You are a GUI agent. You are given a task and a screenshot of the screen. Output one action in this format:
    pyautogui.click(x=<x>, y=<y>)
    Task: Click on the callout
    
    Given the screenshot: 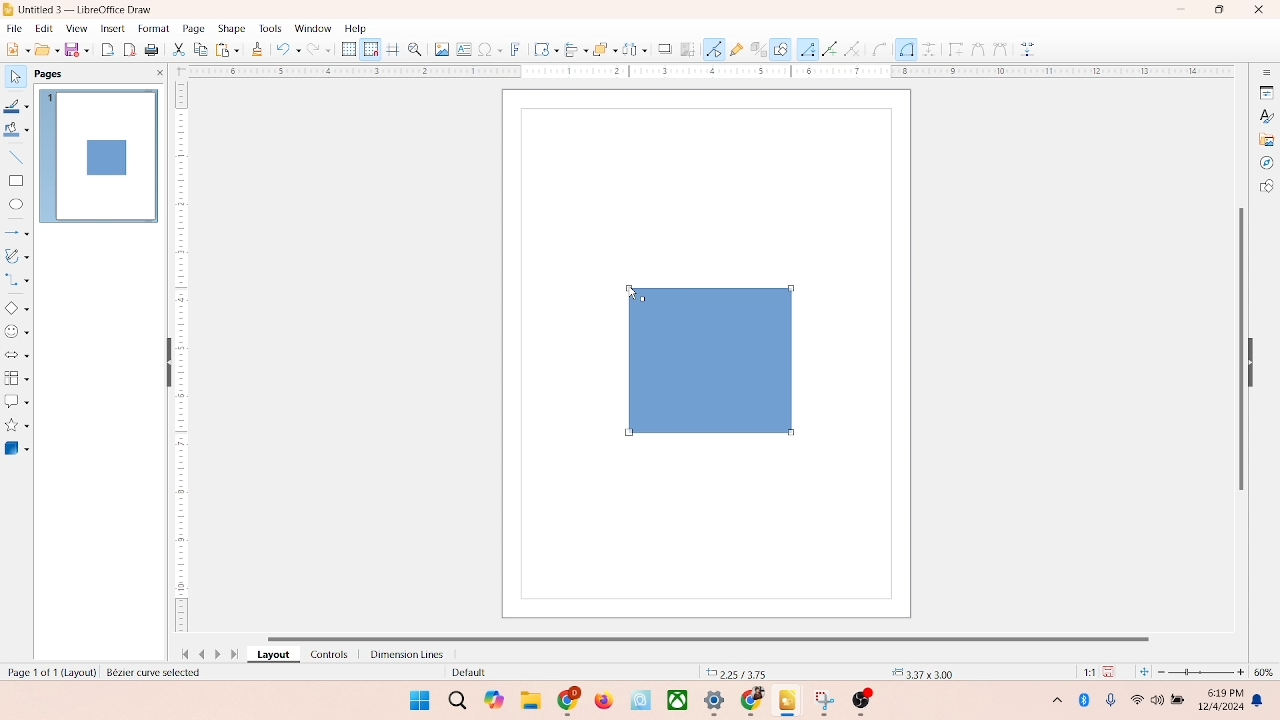 What is the action you would take?
    pyautogui.click(x=16, y=401)
    